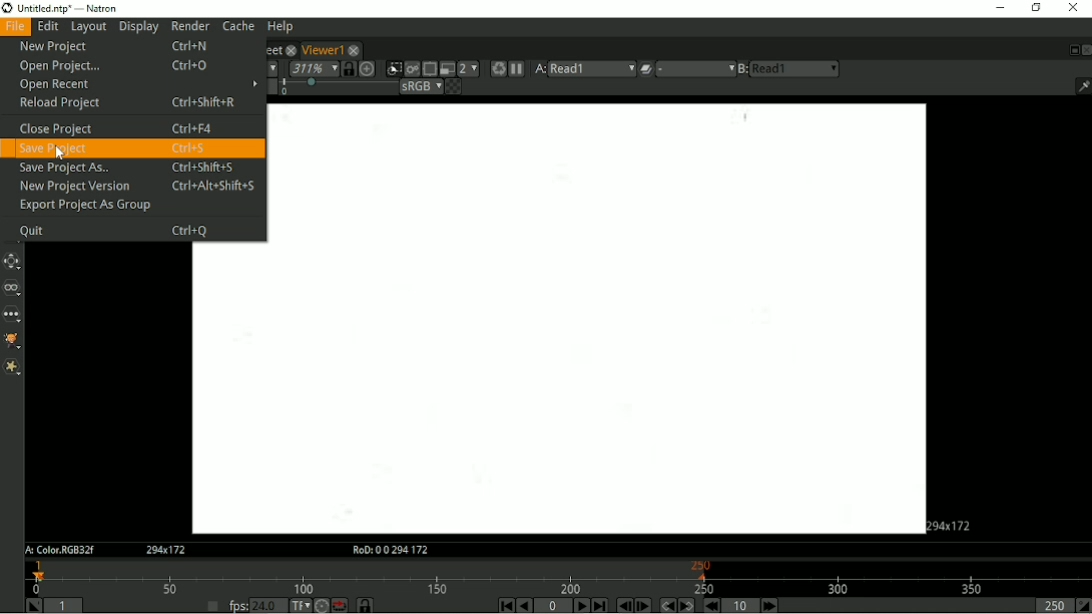 Image resolution: width=1092 pixels, height=614 pixels. What do you see at coordinates (769, 606) in the screenshot?
I see `Next increment` at bounding box center [769, 606].